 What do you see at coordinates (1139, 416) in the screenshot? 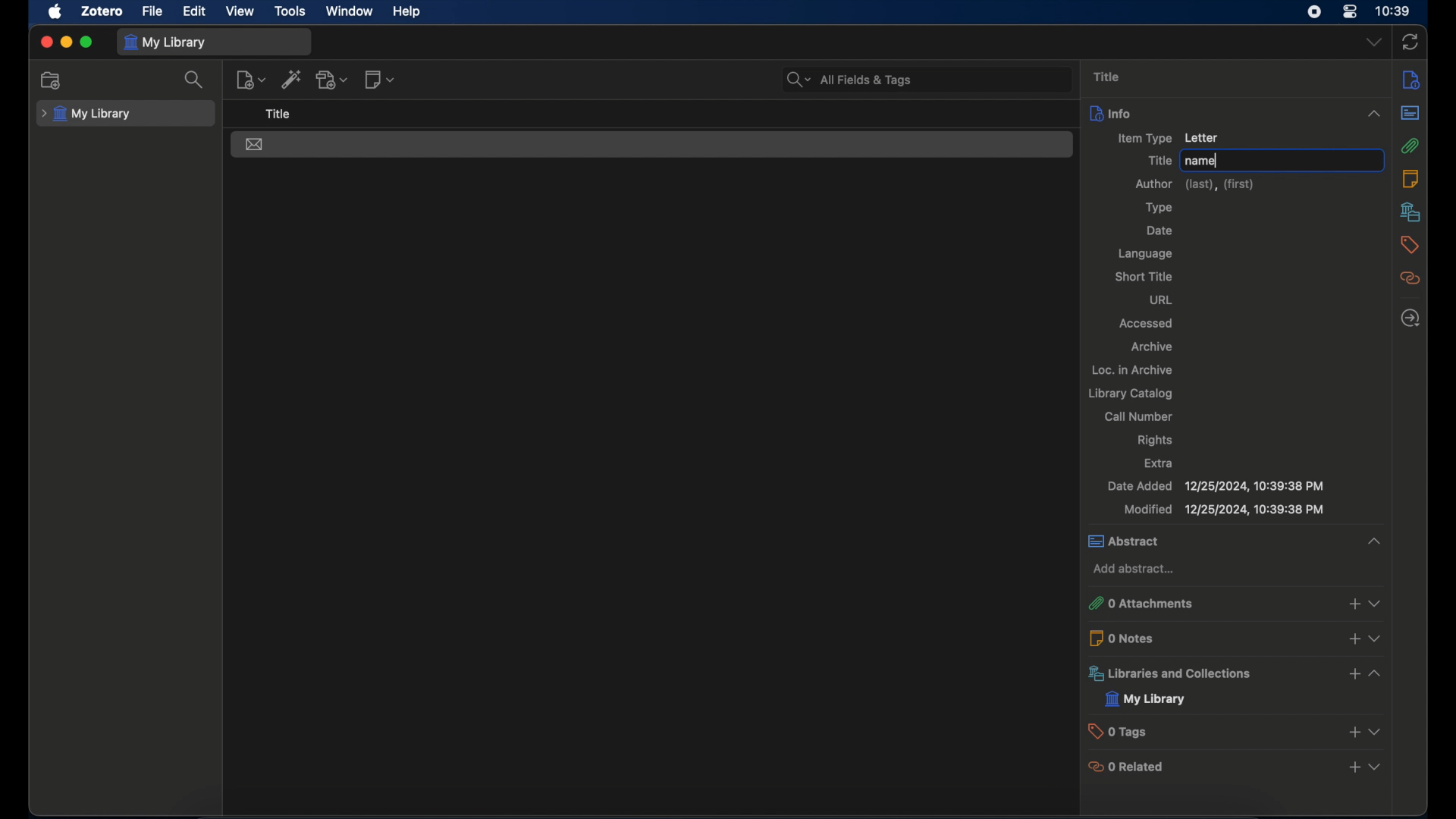
I see `call number` at bounding box center [1139, 416].